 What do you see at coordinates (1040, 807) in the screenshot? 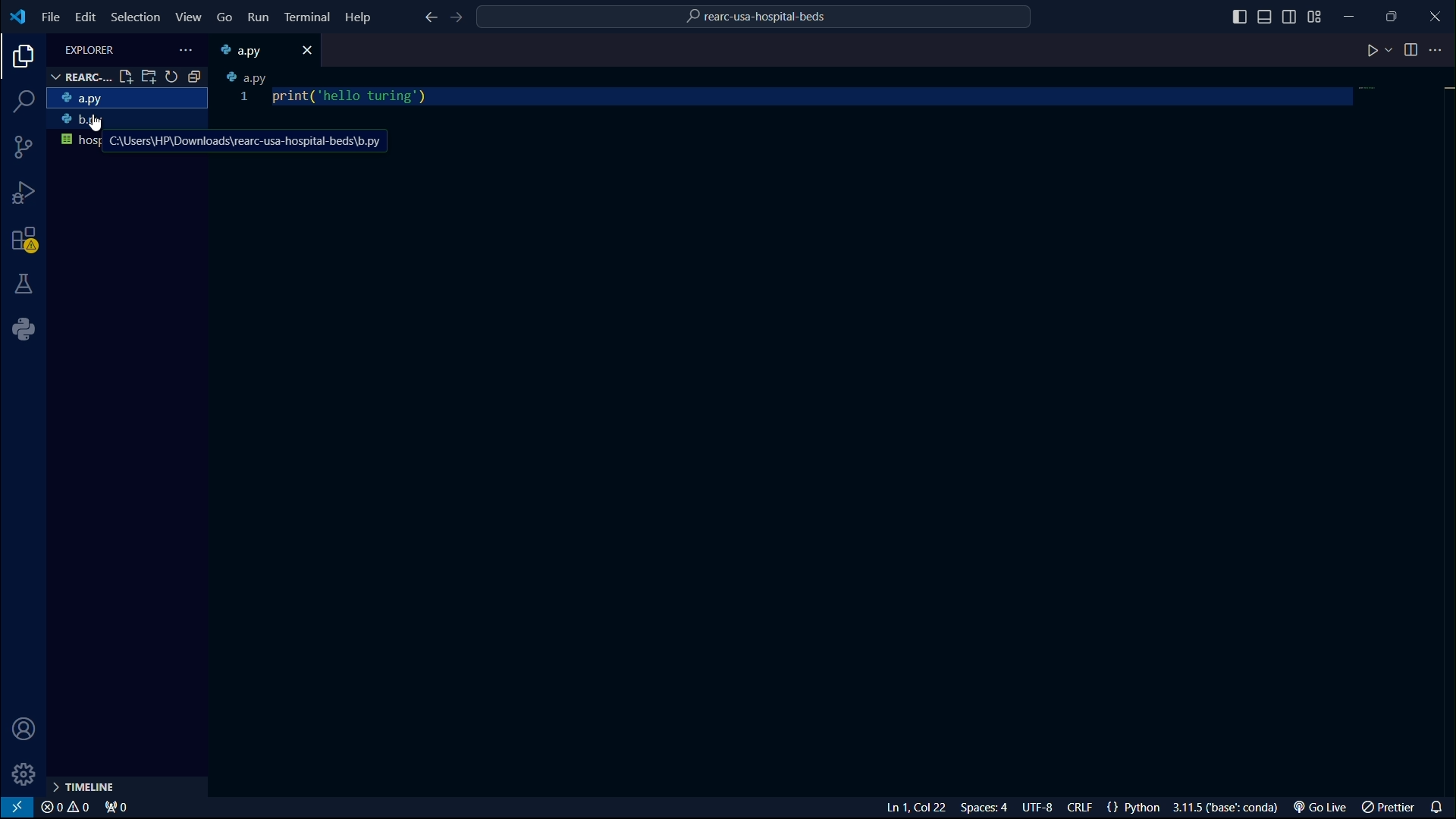
I see `UTF-8` at bounding box center [1040, 807].